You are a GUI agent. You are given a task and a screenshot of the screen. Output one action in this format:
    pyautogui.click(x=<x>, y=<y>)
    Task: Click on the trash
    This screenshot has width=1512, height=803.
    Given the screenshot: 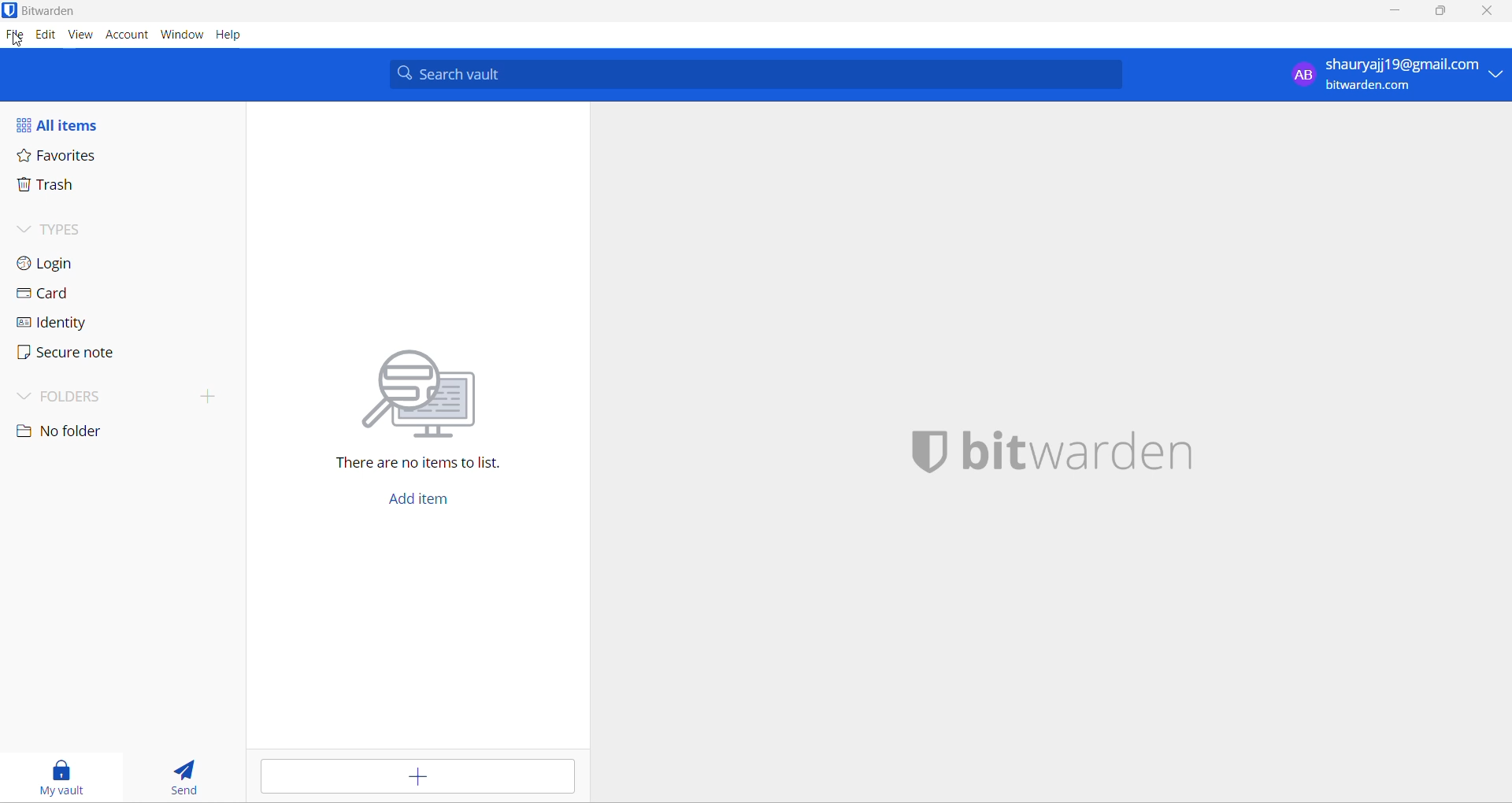 What is the action you would take?
    pyautogui.click(x=68, y=186)
    